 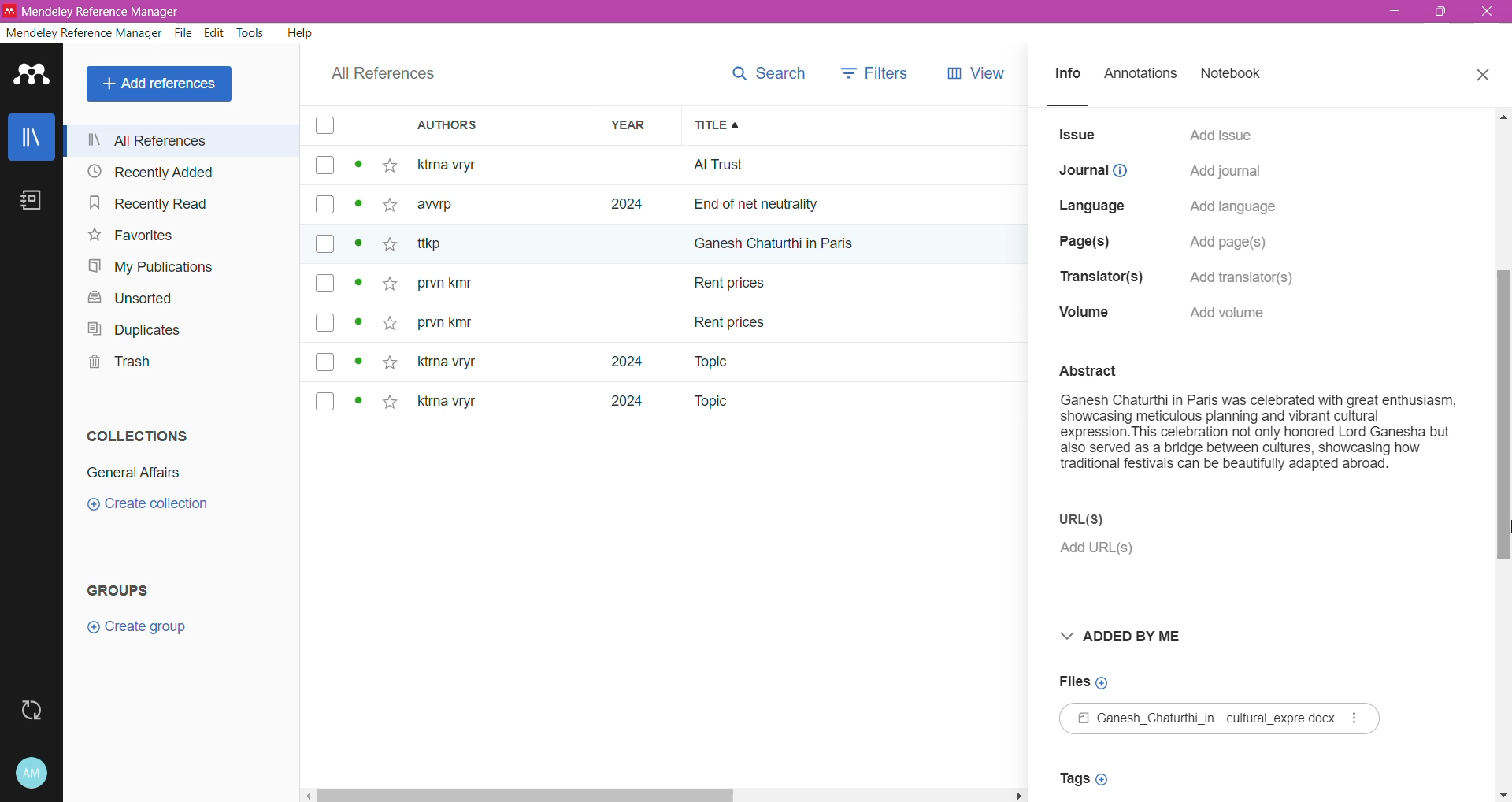 What do you see at coordinates (394, 284) in the screenshot?
I see `Click to add the reference item to Favorites` at bounding box center [394, 284].